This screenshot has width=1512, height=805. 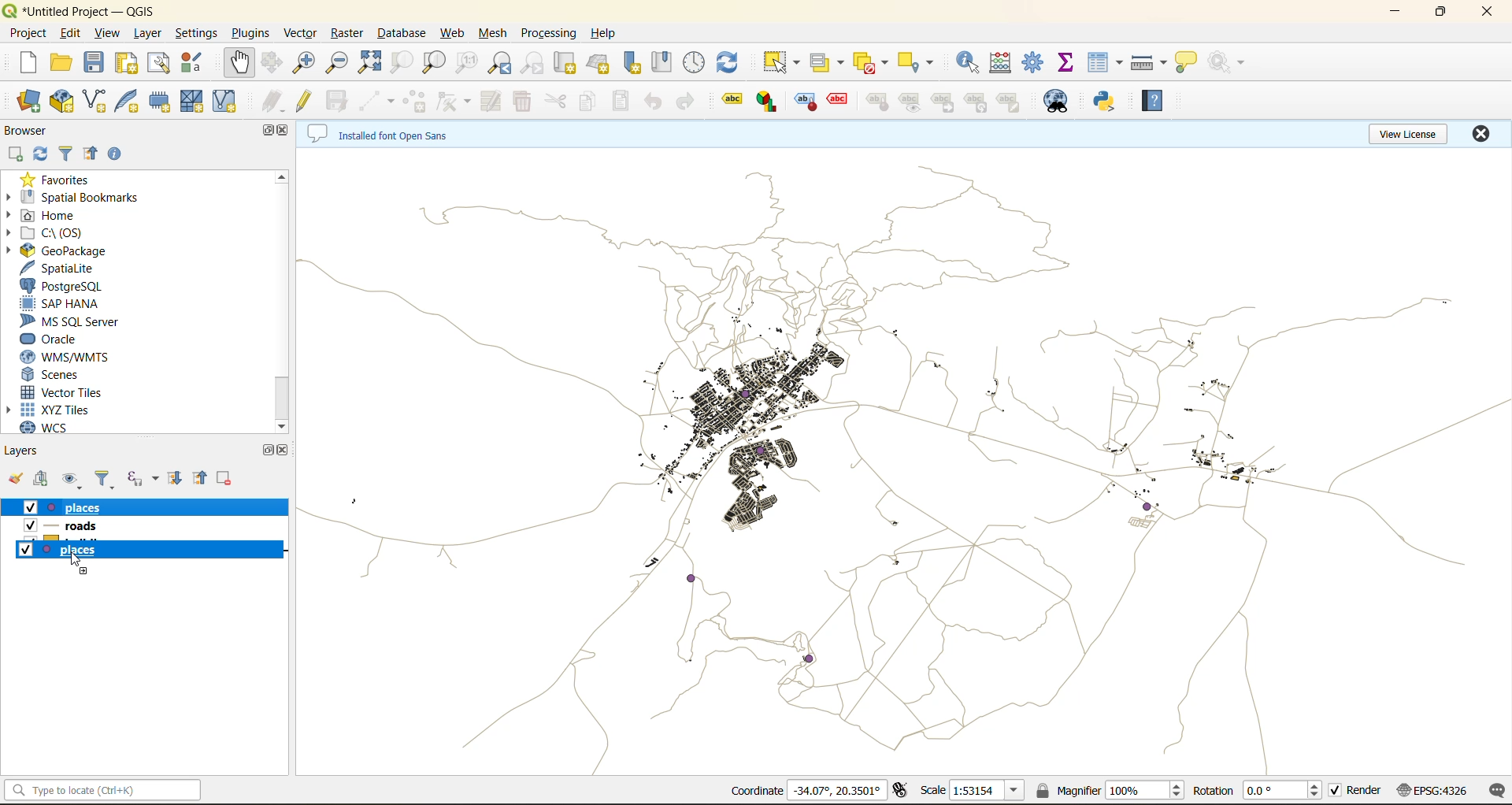 What do you see at coordinates (1408, 135) in the screenshot?
I see `view license` at bounding box center [1408, 135].